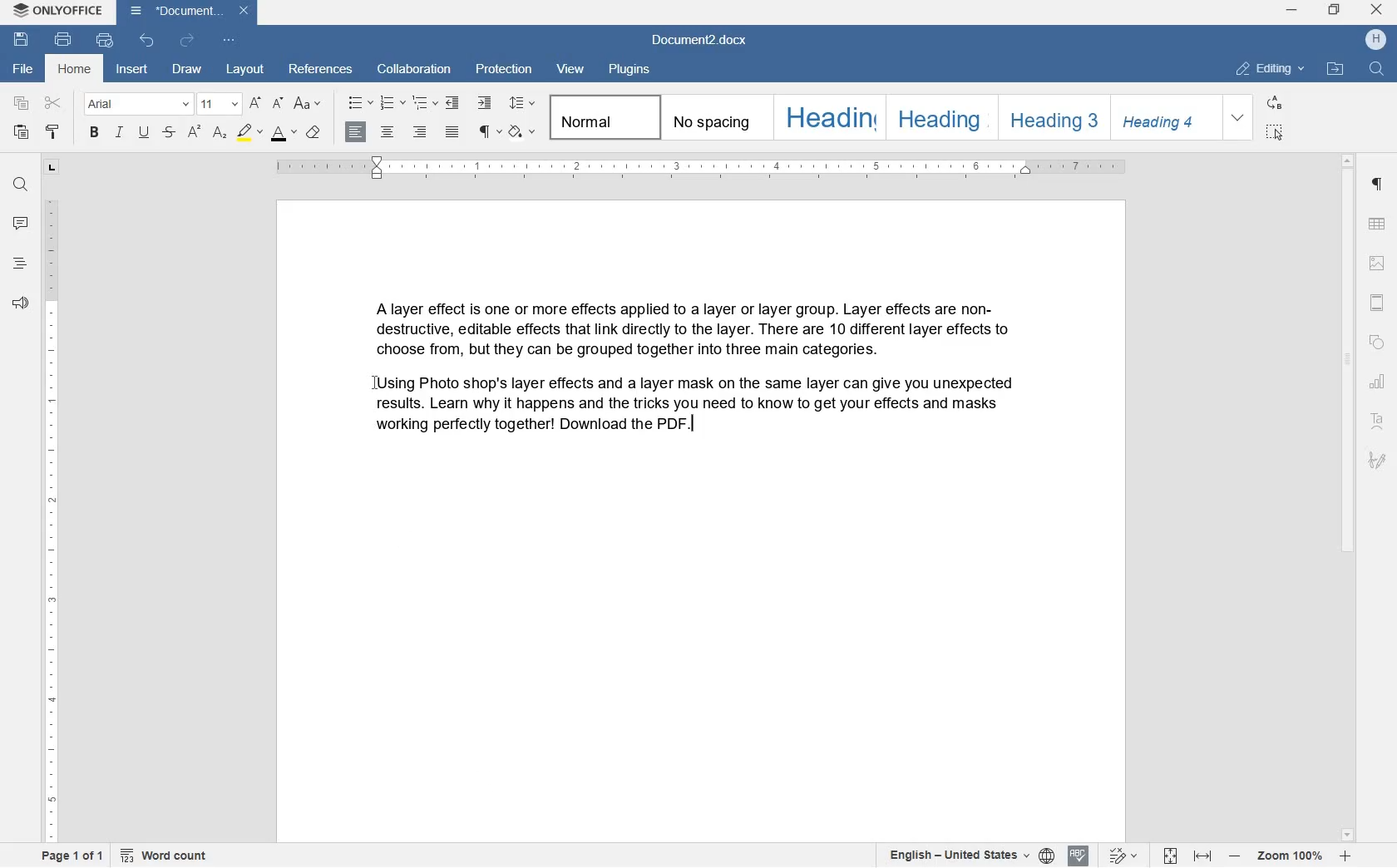 The image size is (1397, 868). Describe the element at coordinates (165, 856) in the screenshot. I see `WORD COUNT` at that location.